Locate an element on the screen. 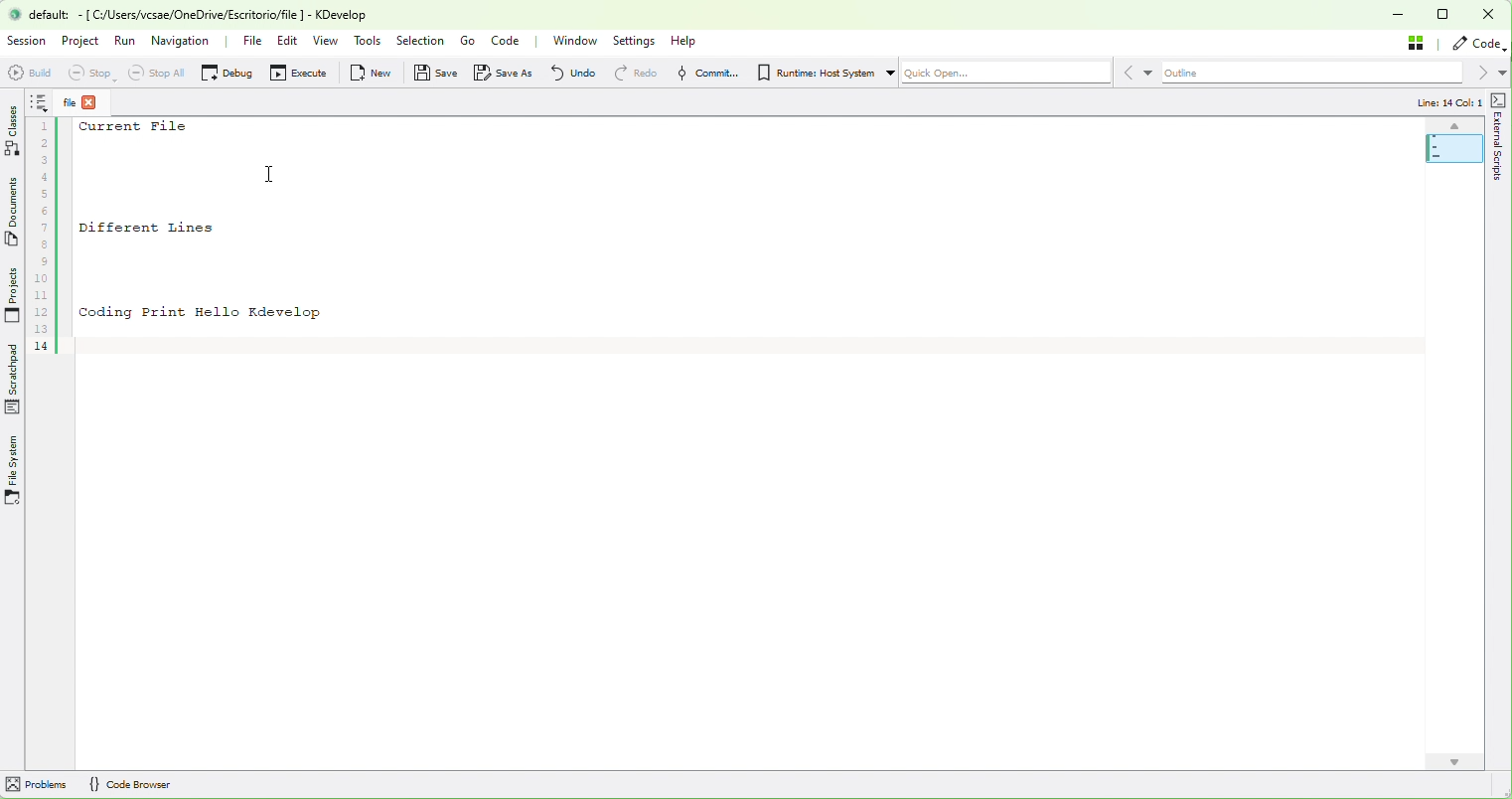 Image resolution: width=1512 pixels, height=799 pixels. Edit is located at coordinates (291, 41).